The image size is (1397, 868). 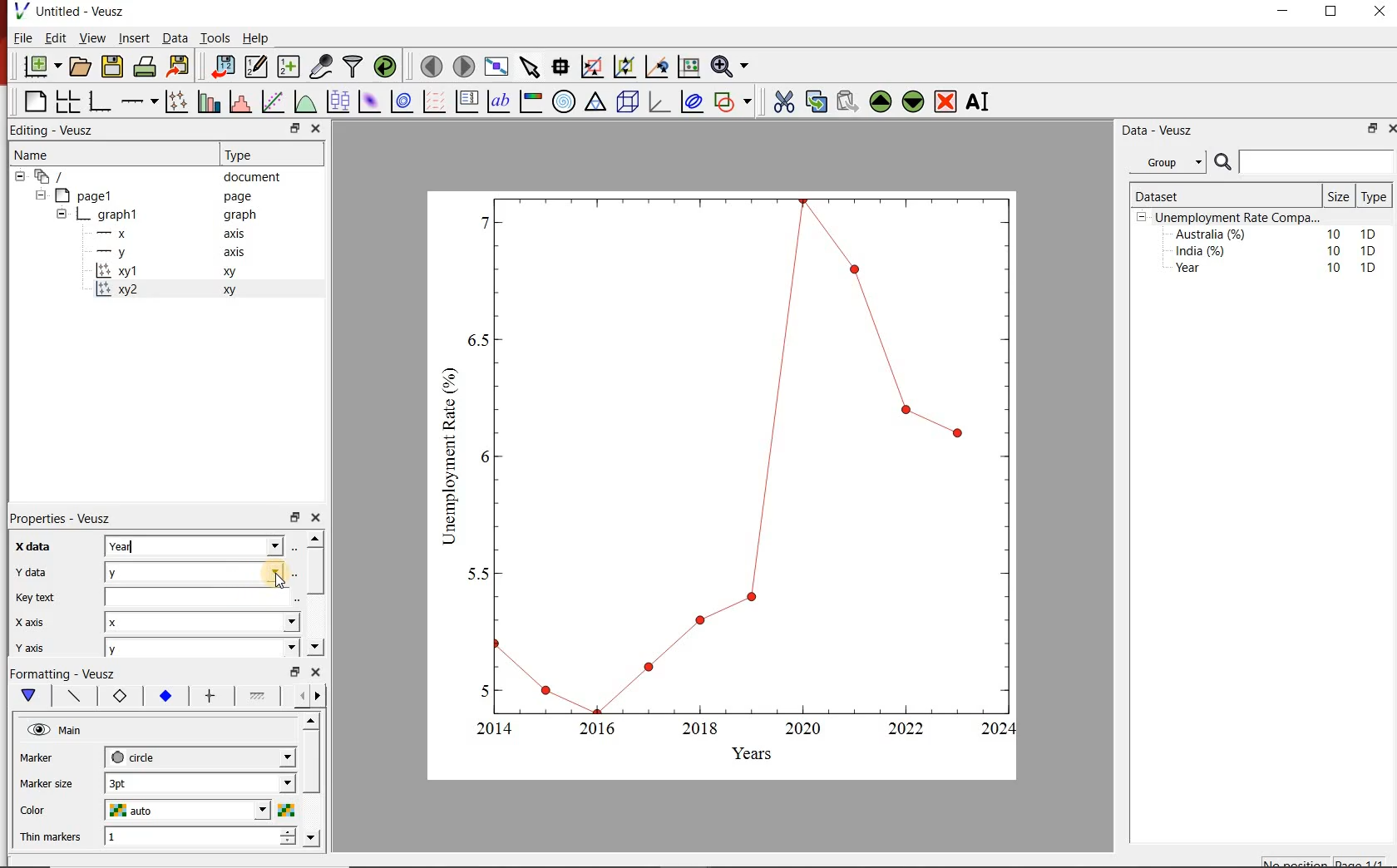 I want to click on minimise, so click(x=297, y=128).